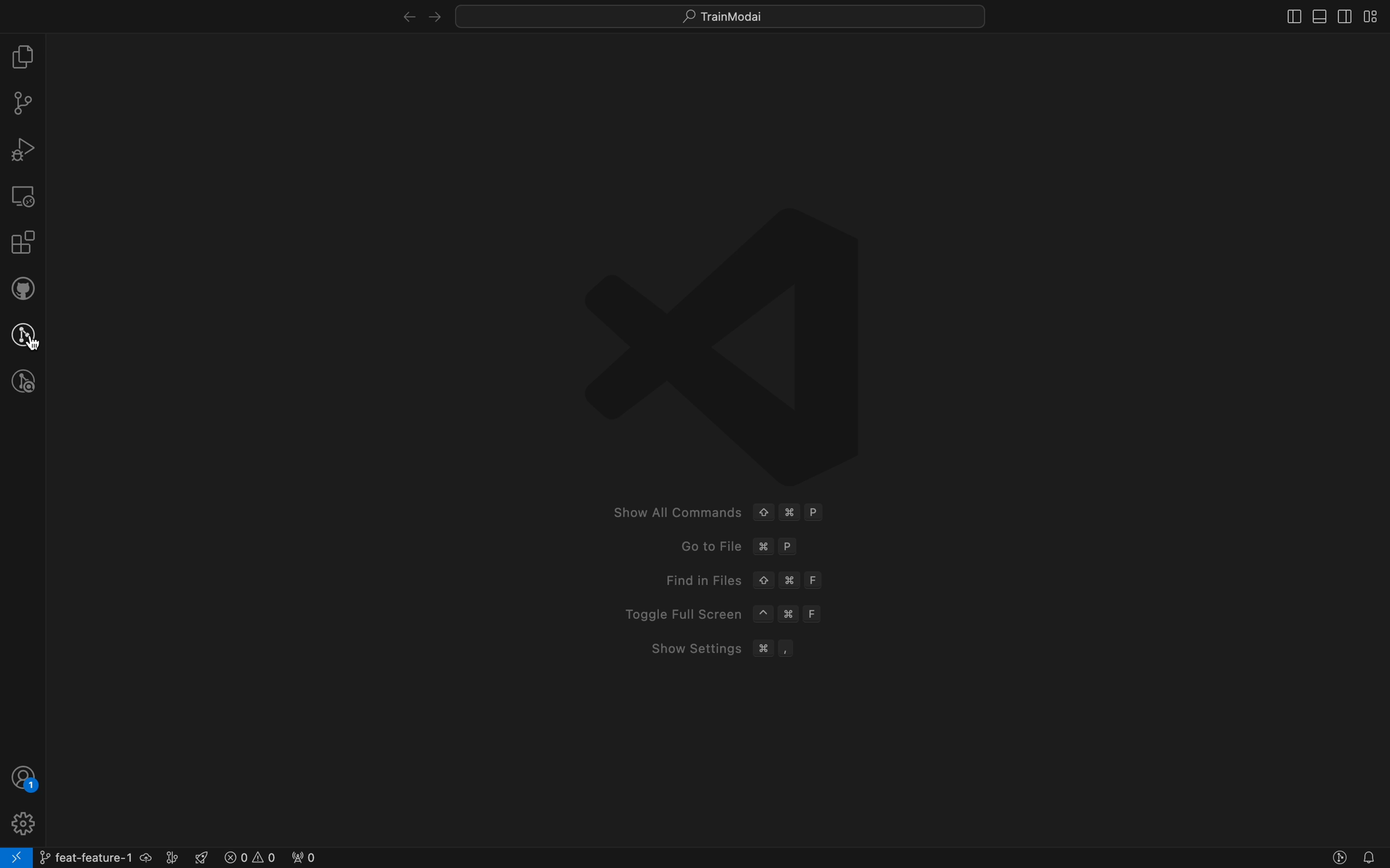  Describe the element at coordinates (1346, 15) in the screenshot. I see `toggle secondary bar` at that location.